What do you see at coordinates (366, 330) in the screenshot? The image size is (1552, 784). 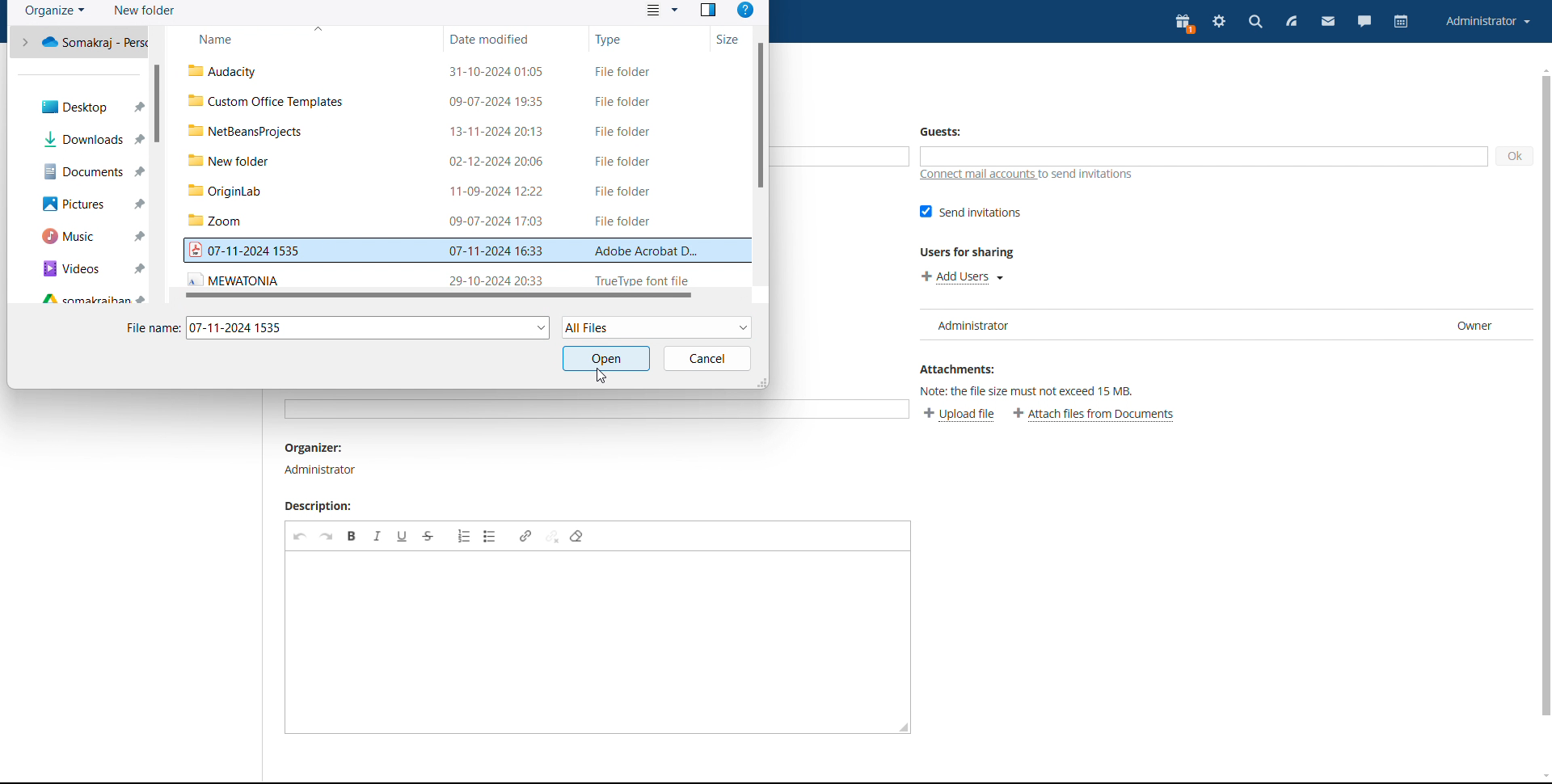 I see `` at bounding box center [366, 330].